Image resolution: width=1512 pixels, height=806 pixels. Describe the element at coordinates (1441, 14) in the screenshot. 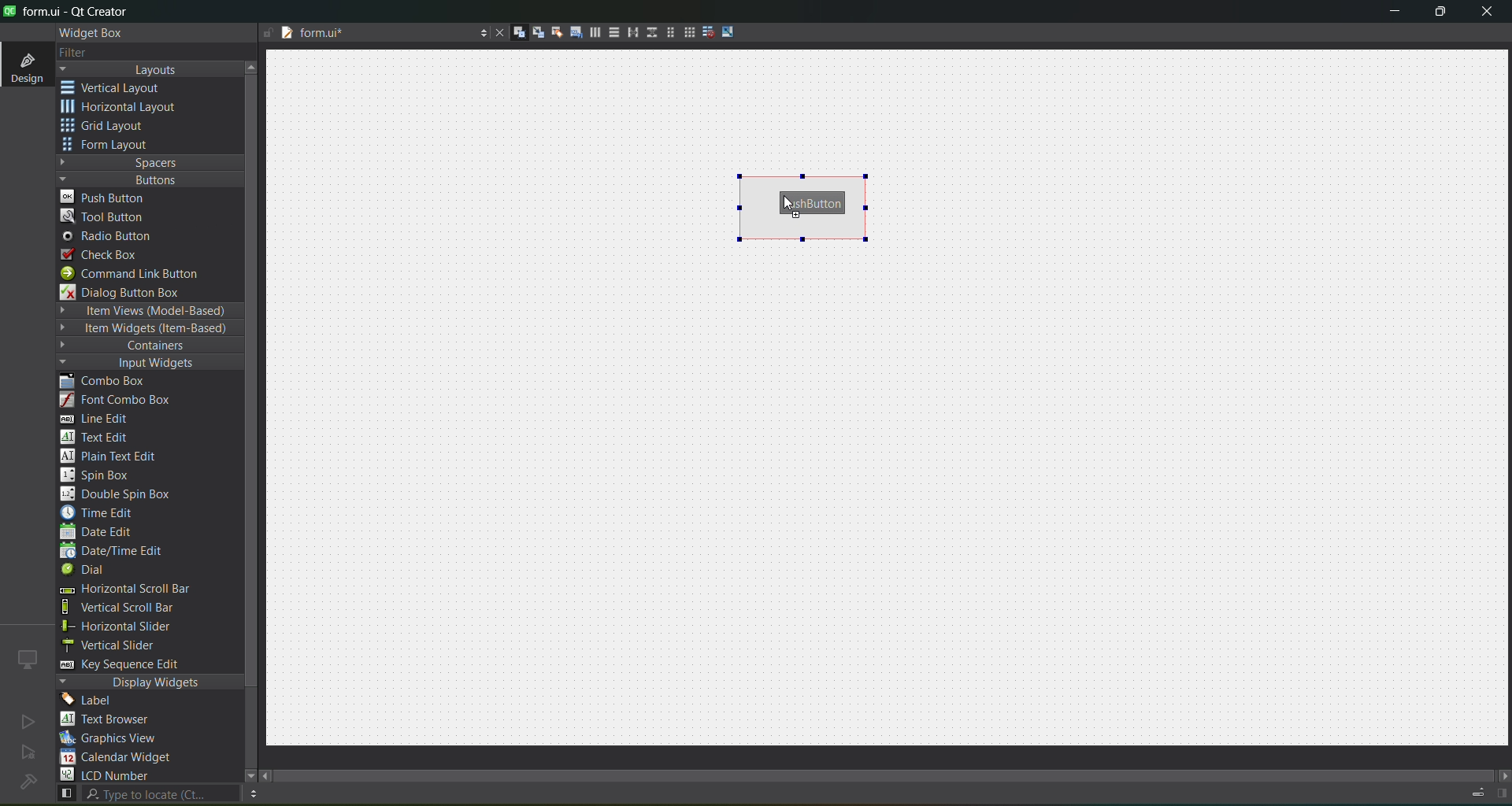

I see `maximize` at that location.